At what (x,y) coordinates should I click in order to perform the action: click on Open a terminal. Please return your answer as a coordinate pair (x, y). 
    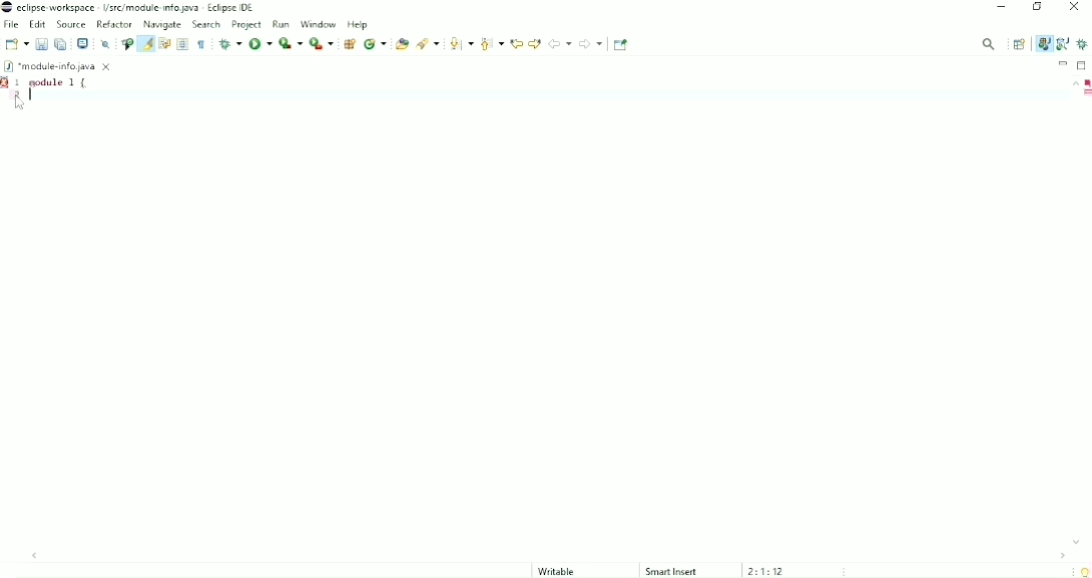
    Looking at the image, I should click on (82, 44).